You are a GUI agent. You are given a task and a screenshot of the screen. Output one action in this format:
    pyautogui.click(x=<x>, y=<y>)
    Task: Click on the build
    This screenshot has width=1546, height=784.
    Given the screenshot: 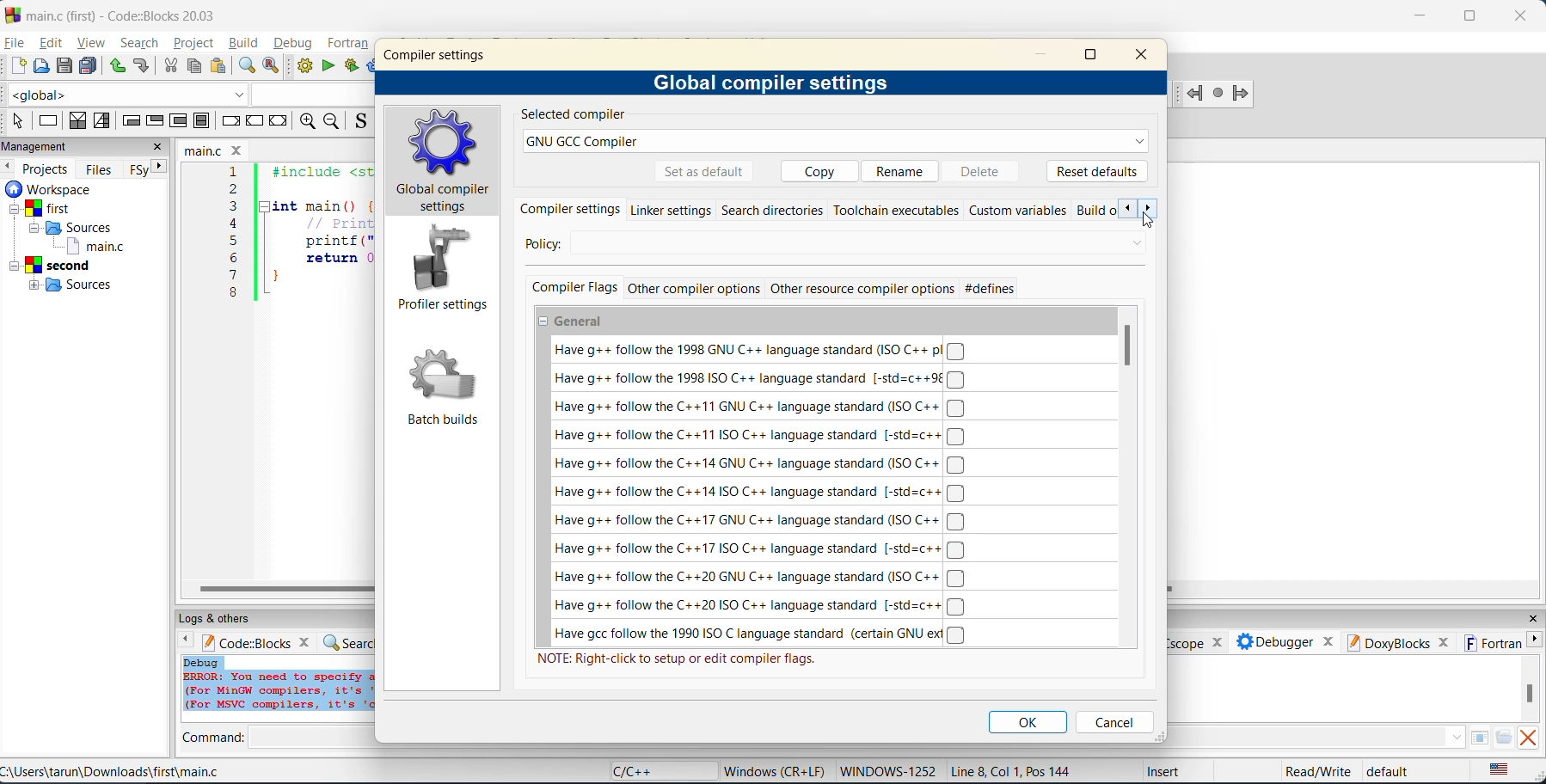 What is the action you would take?
    pyautogui.click(x=305, y=67)
    